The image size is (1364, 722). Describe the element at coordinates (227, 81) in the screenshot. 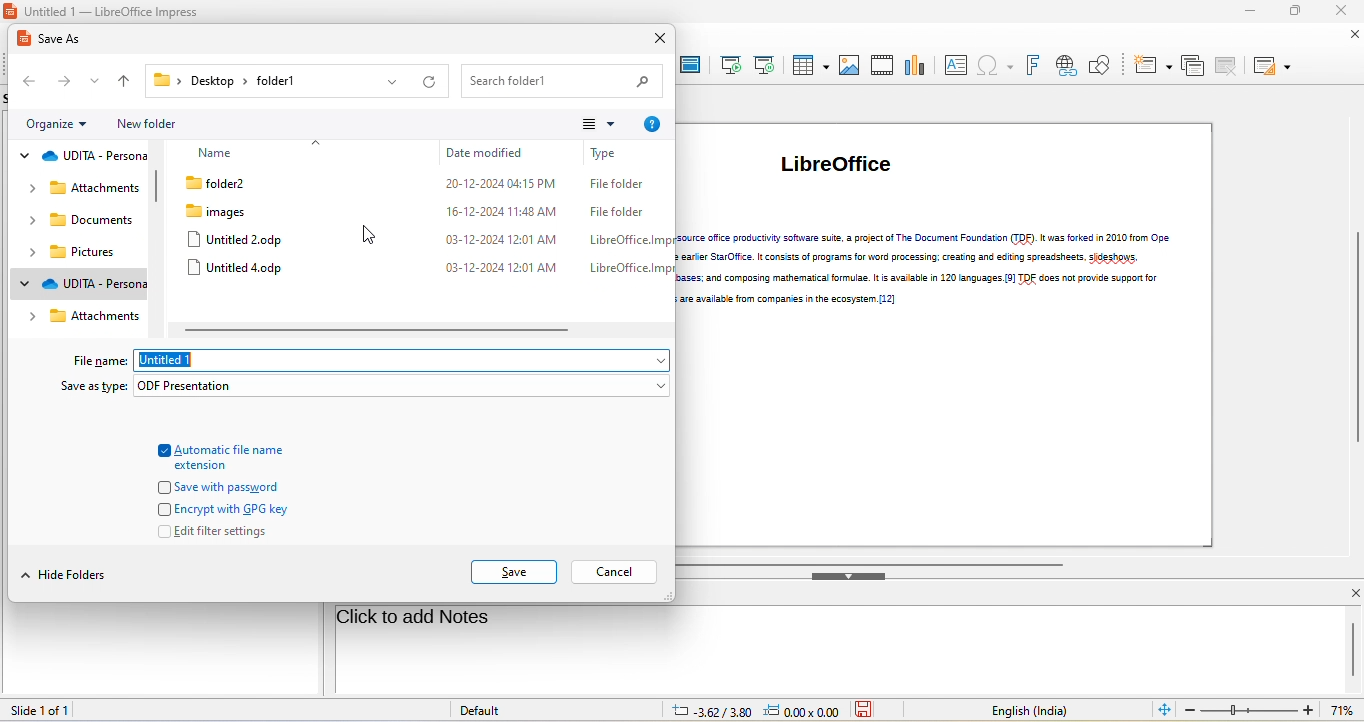

I see `current location:Desktop > folder` at that location.